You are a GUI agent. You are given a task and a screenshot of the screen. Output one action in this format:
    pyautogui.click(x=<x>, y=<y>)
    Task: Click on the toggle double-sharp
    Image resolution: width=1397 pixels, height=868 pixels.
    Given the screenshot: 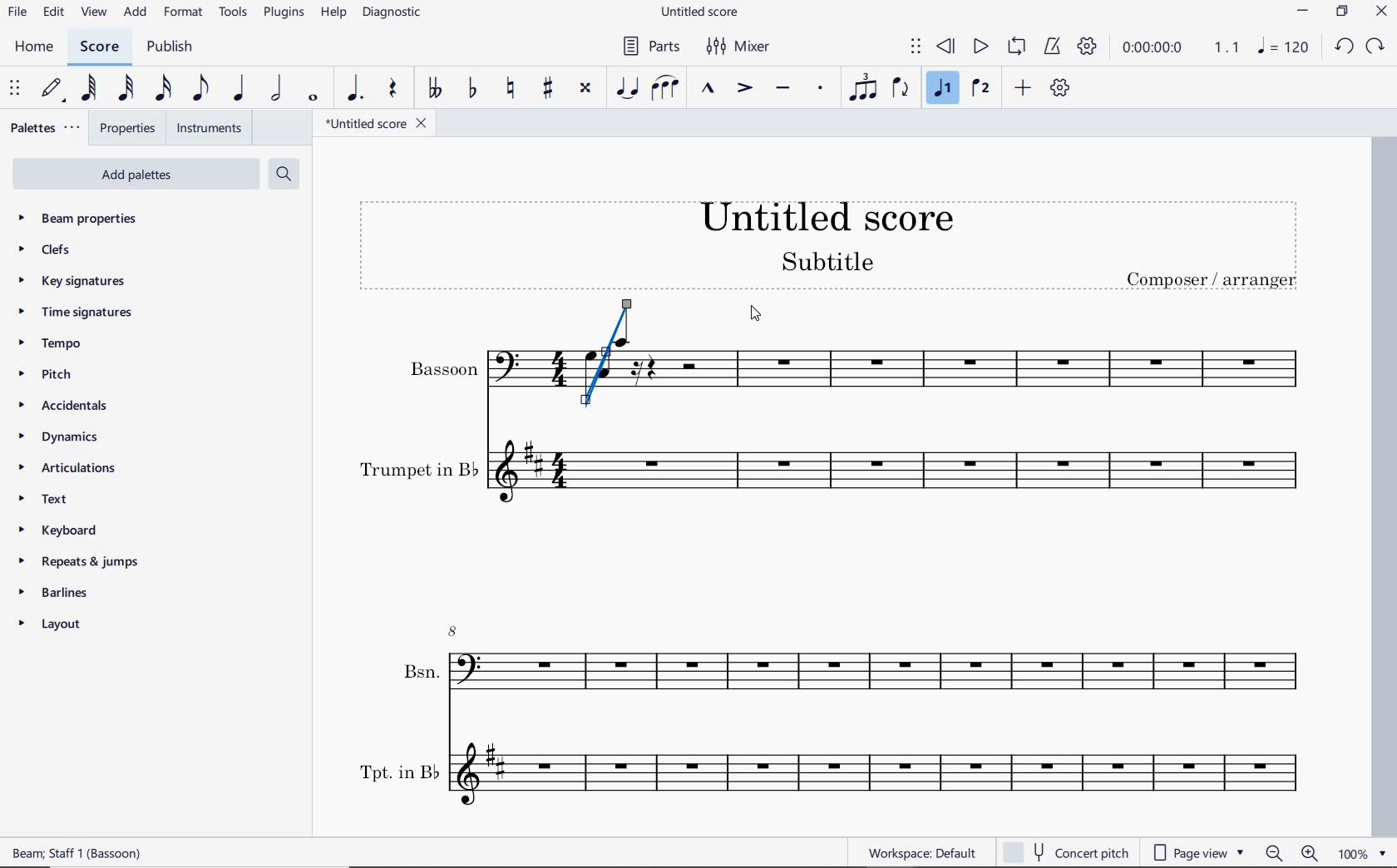 What is the action you would take?
    pyautogui.click(x=586, y=88)
    